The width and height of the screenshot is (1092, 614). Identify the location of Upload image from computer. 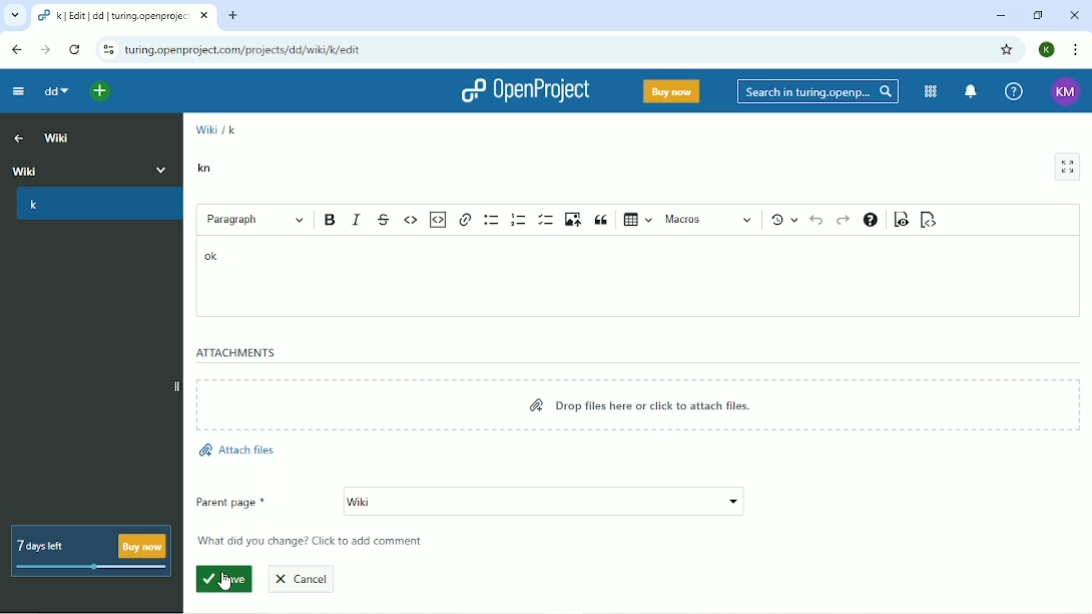
(572, 220).